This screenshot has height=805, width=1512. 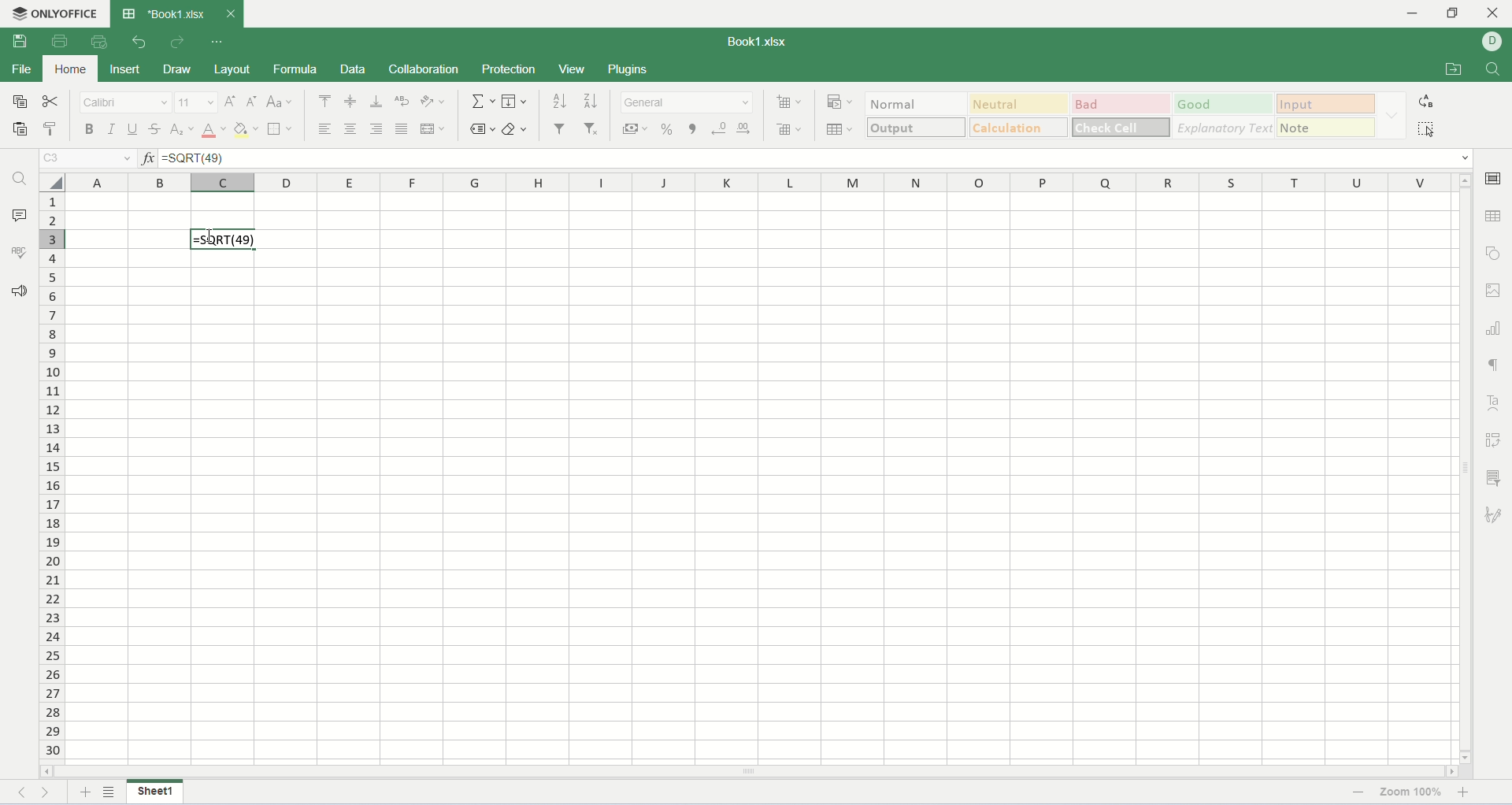 What do you see at coordinates (1429, 128) in the screenshot?
I see `select all` at bounding box center [1429, 128].